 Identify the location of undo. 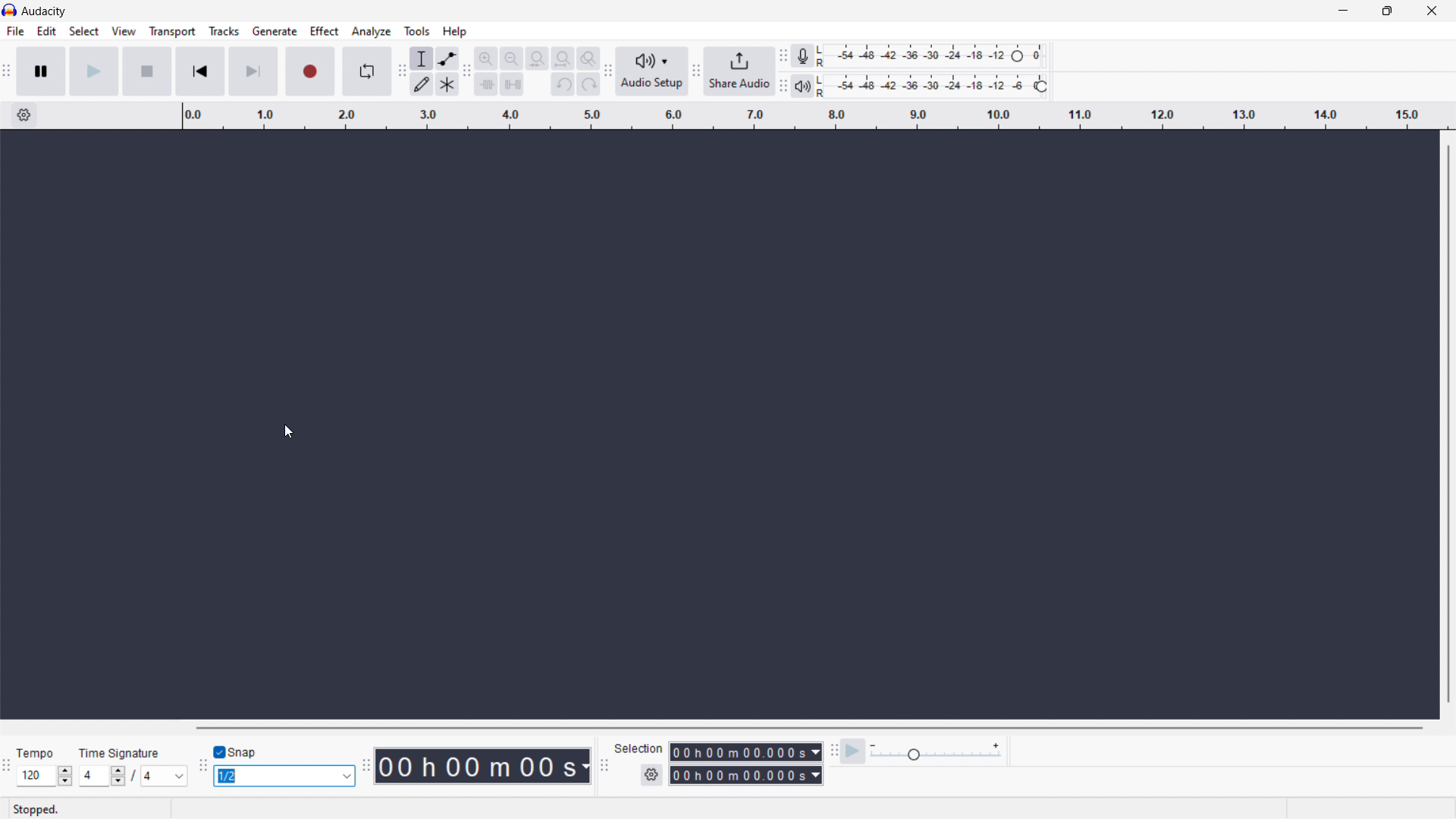
(563, 83).